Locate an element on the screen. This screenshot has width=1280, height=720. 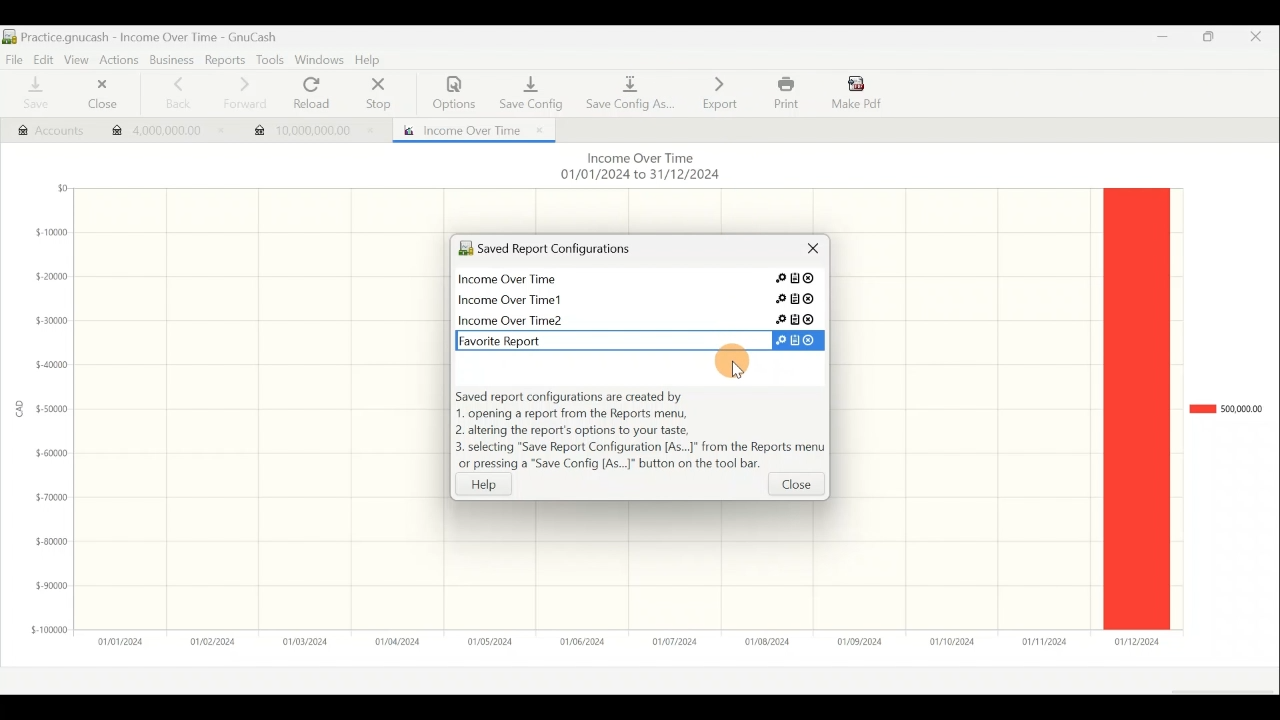
File is located at coordinates (14, 58).